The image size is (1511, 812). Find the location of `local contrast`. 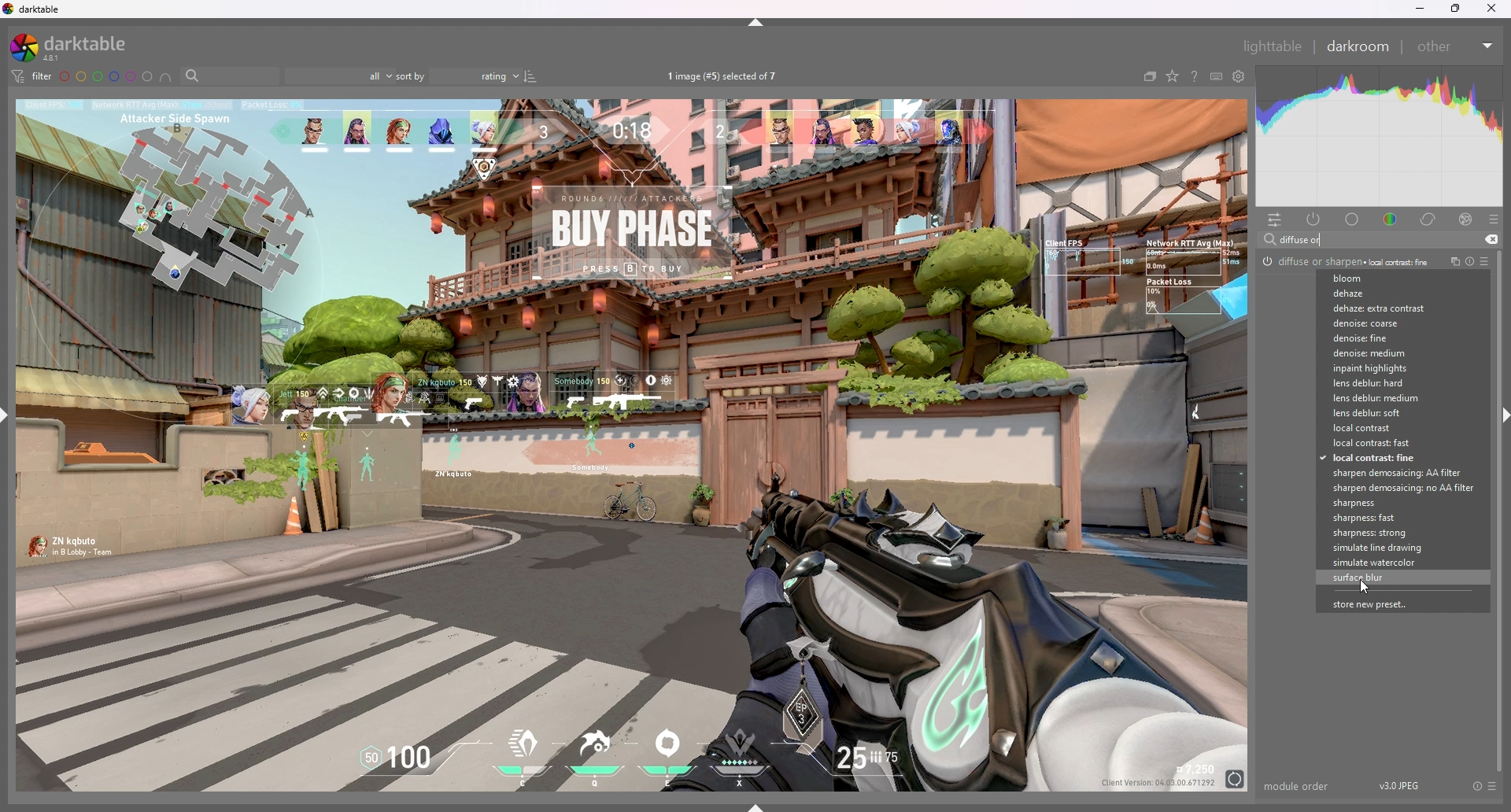

local contrast is located at coordinates (1394, 428).